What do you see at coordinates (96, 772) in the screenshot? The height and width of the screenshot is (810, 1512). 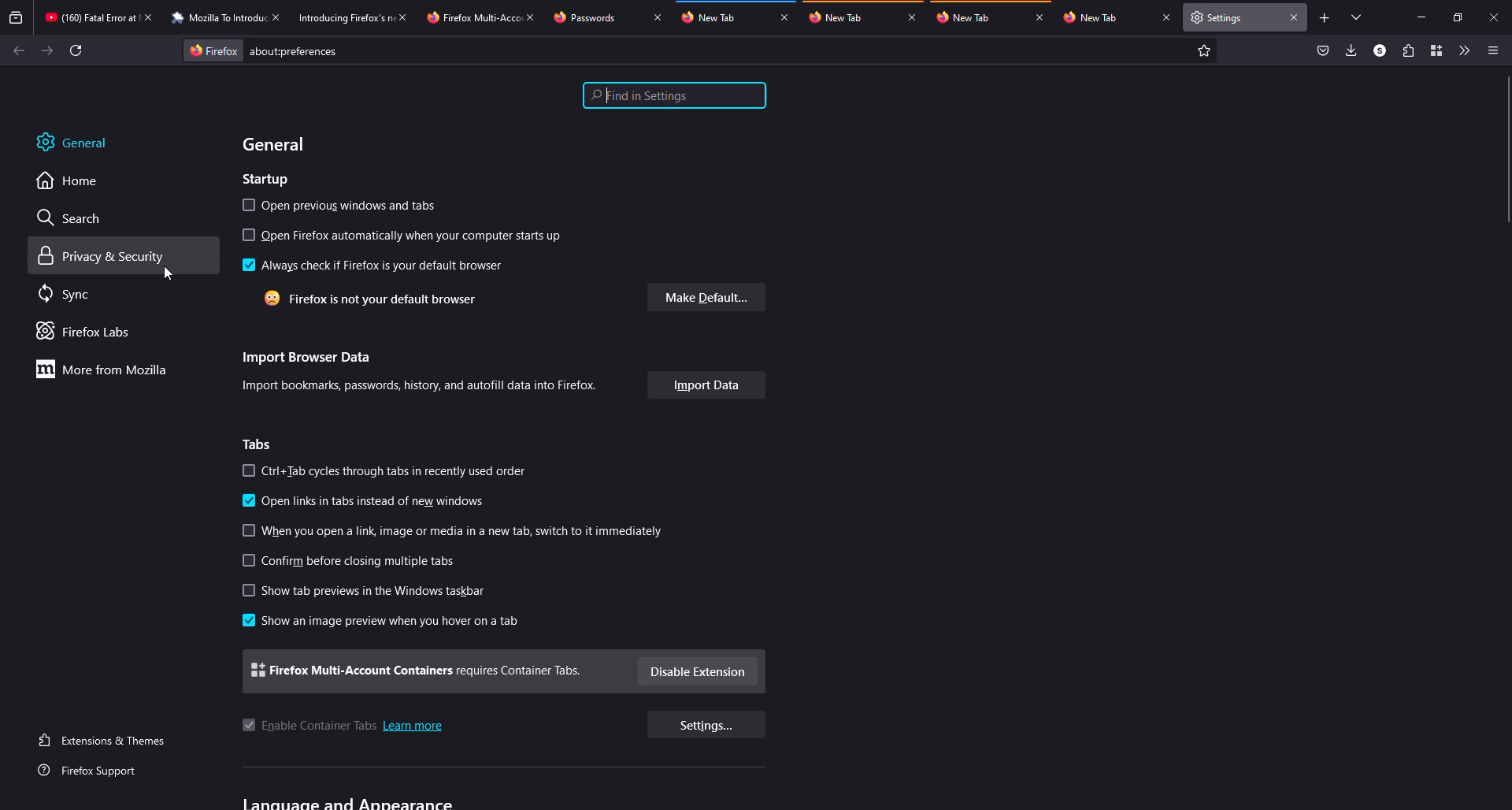 I see `support` at bounding box center [96, 772].